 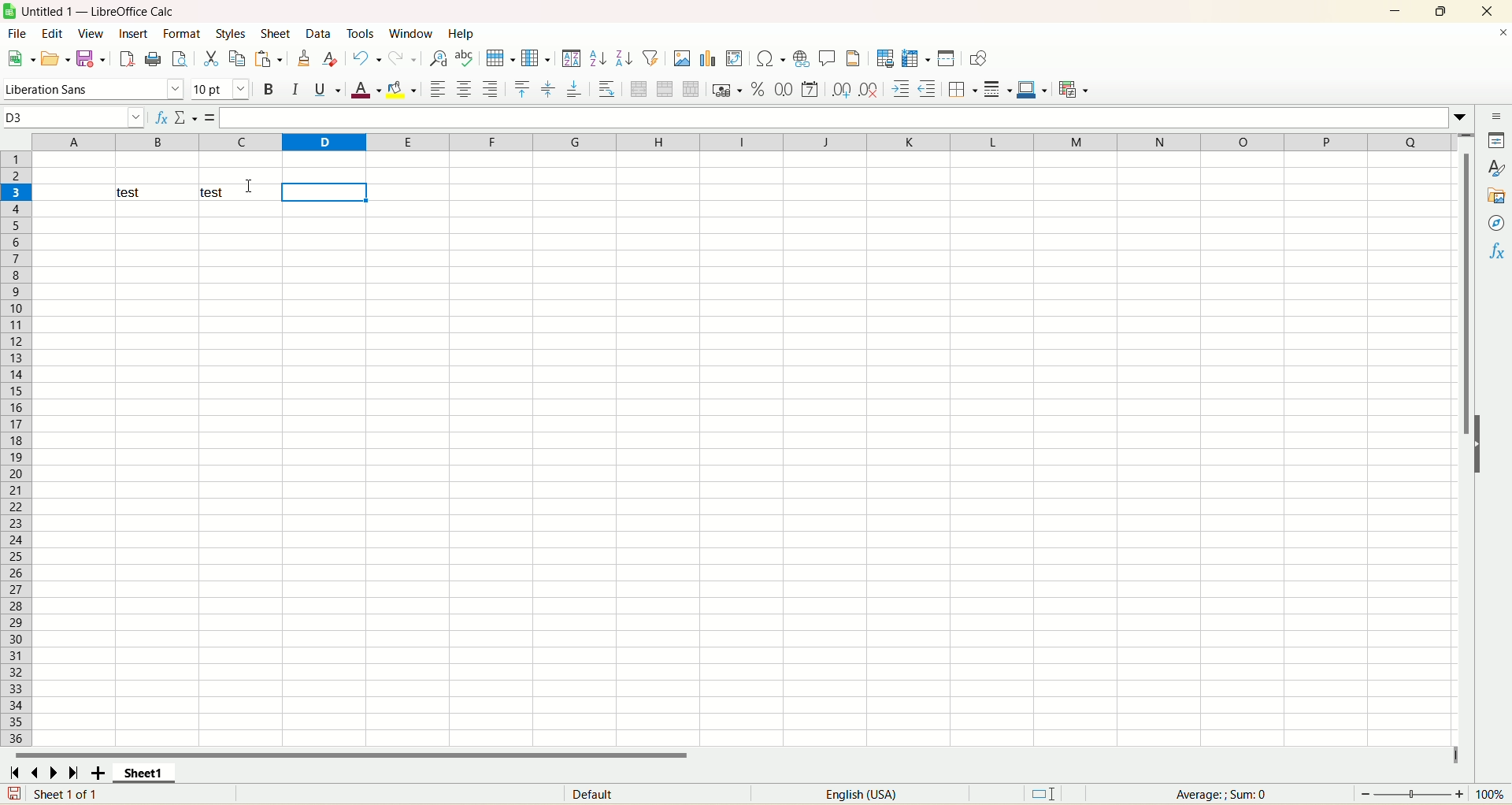 What do you see at coordinates (1495, 195) in the screenshot?
I see `gallery` at bounding box center [1495, 195].